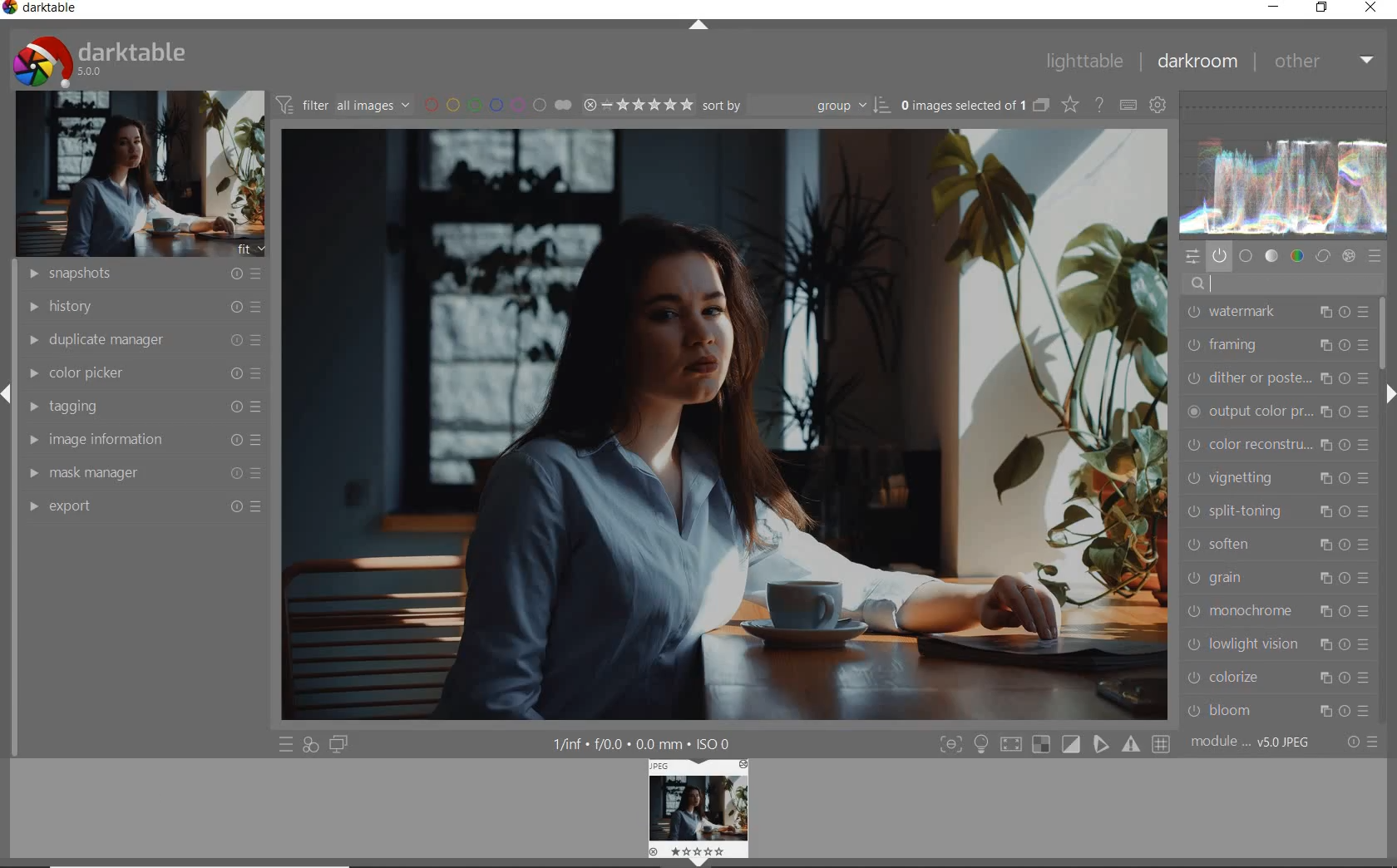 The image size is (1397, 868). Describe the element at coordinates (1194, 258) in the screenshot. I see `quick access panel` at that location.